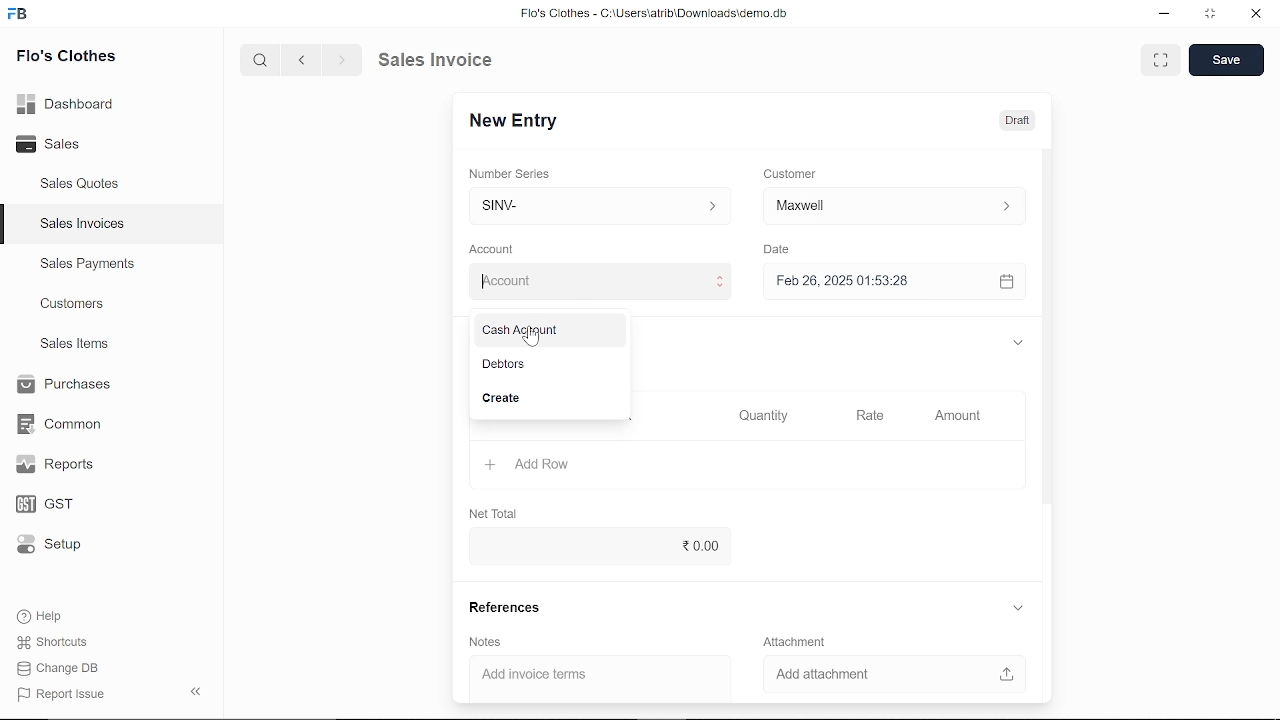  What do you see at coordinates (62, 424) in the screenshot?
I see `Common` at bounding box center [62, 424].